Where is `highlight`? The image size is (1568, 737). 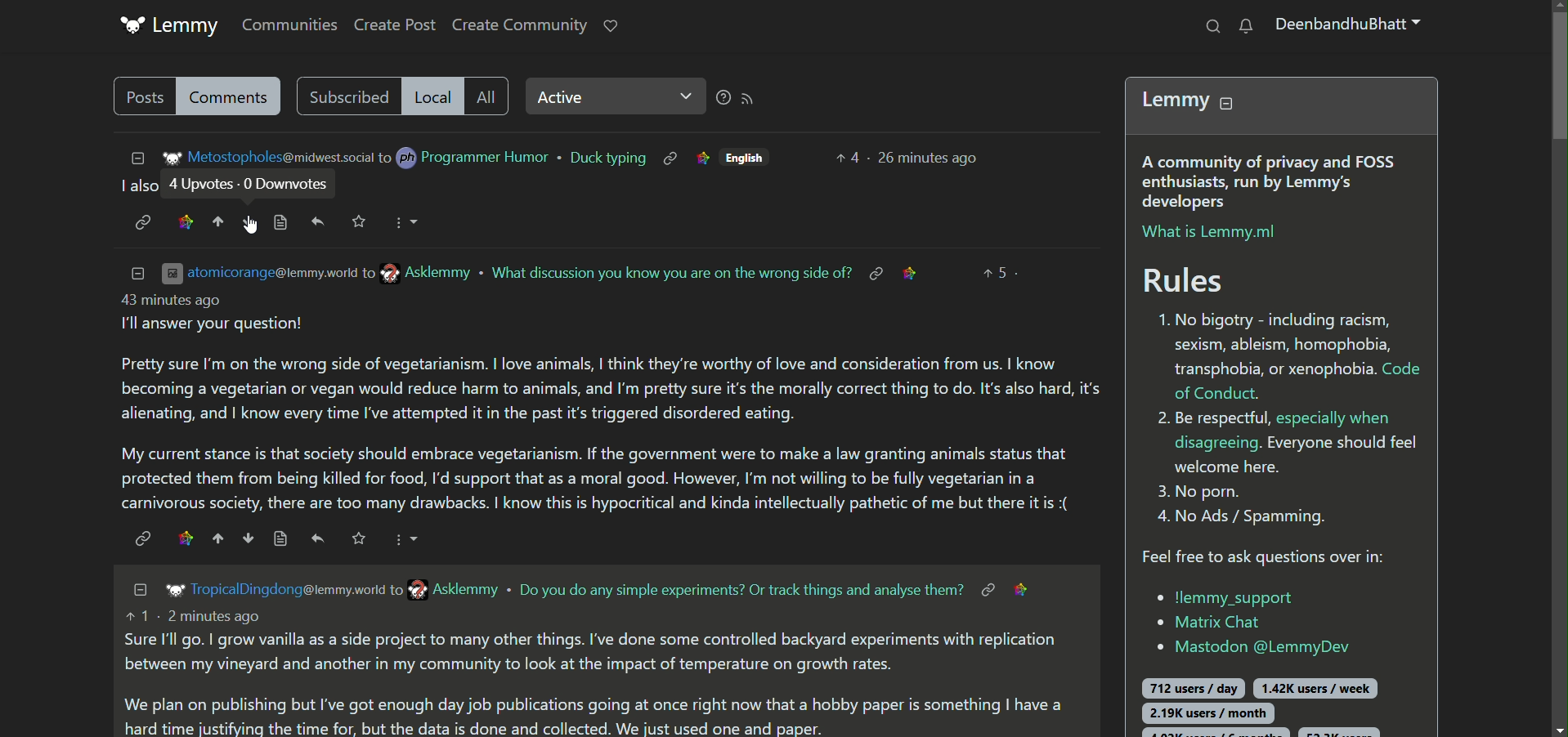 highlight is located at coordinates (915, 271).